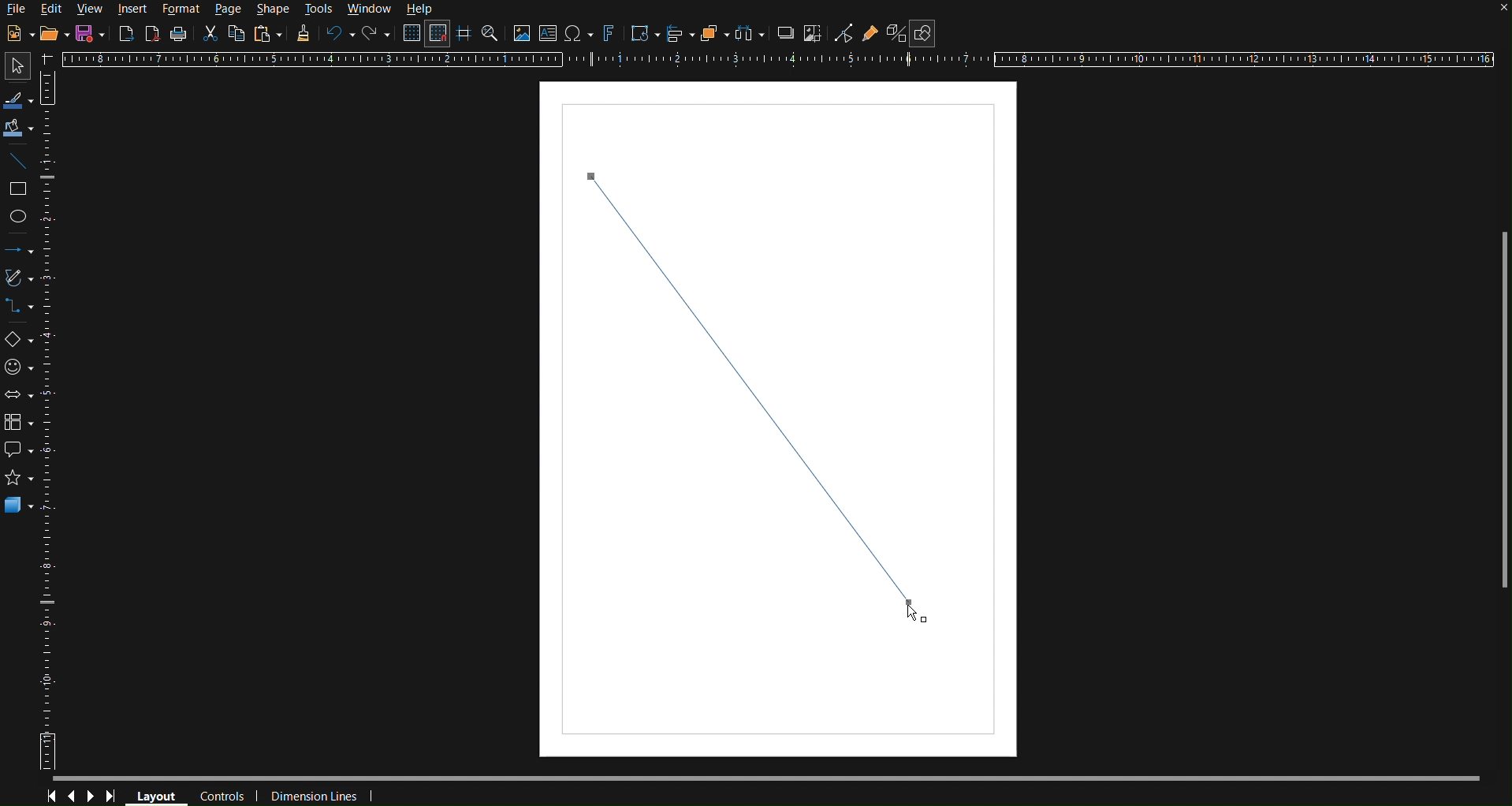  Describe the element at coordinates (221, 797) in the screenshot. I see `Controls` at that location.